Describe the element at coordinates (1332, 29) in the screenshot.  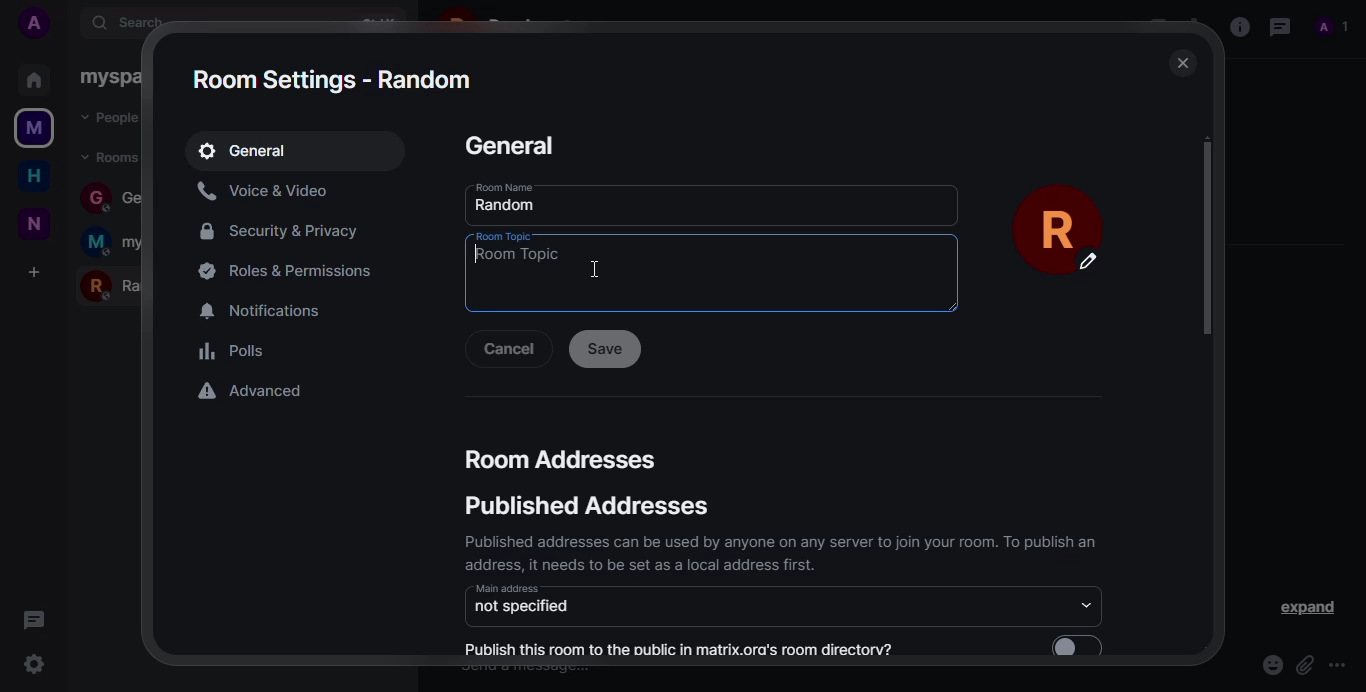
I see `profile` at that location.